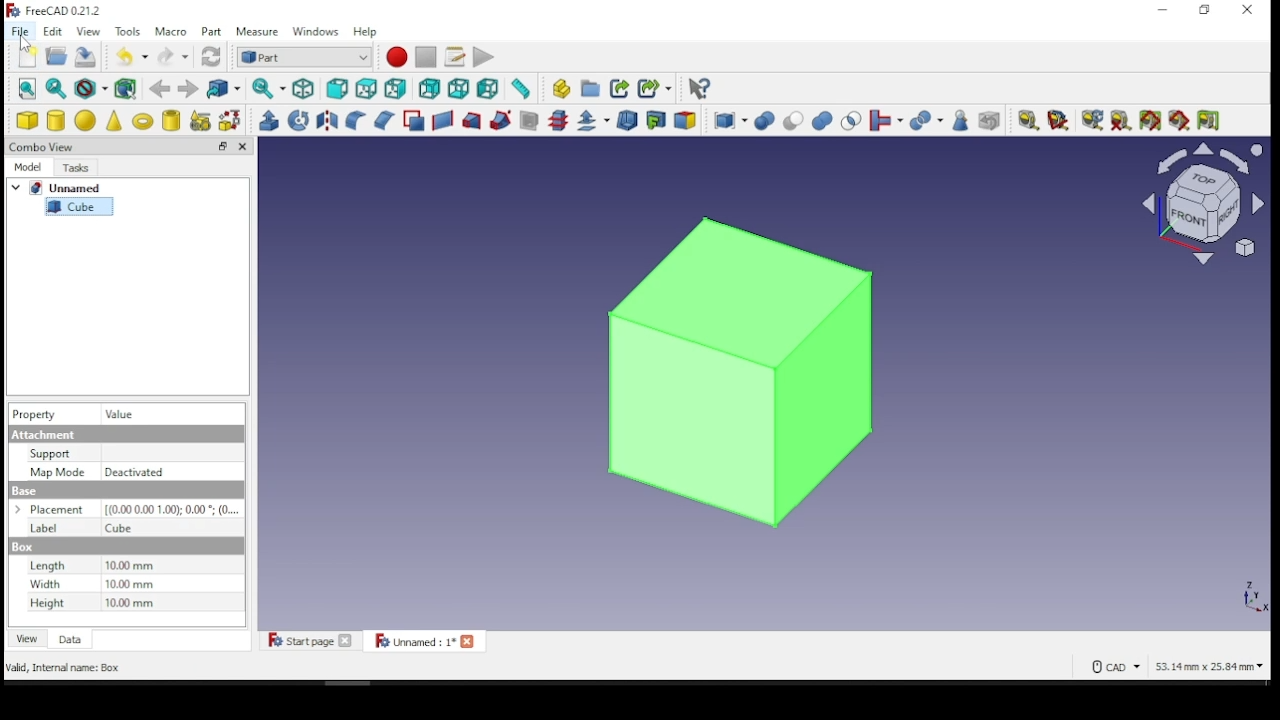  Describe the element at coordinates (28, 88) in the screenshot. I see `fit all` at that location.